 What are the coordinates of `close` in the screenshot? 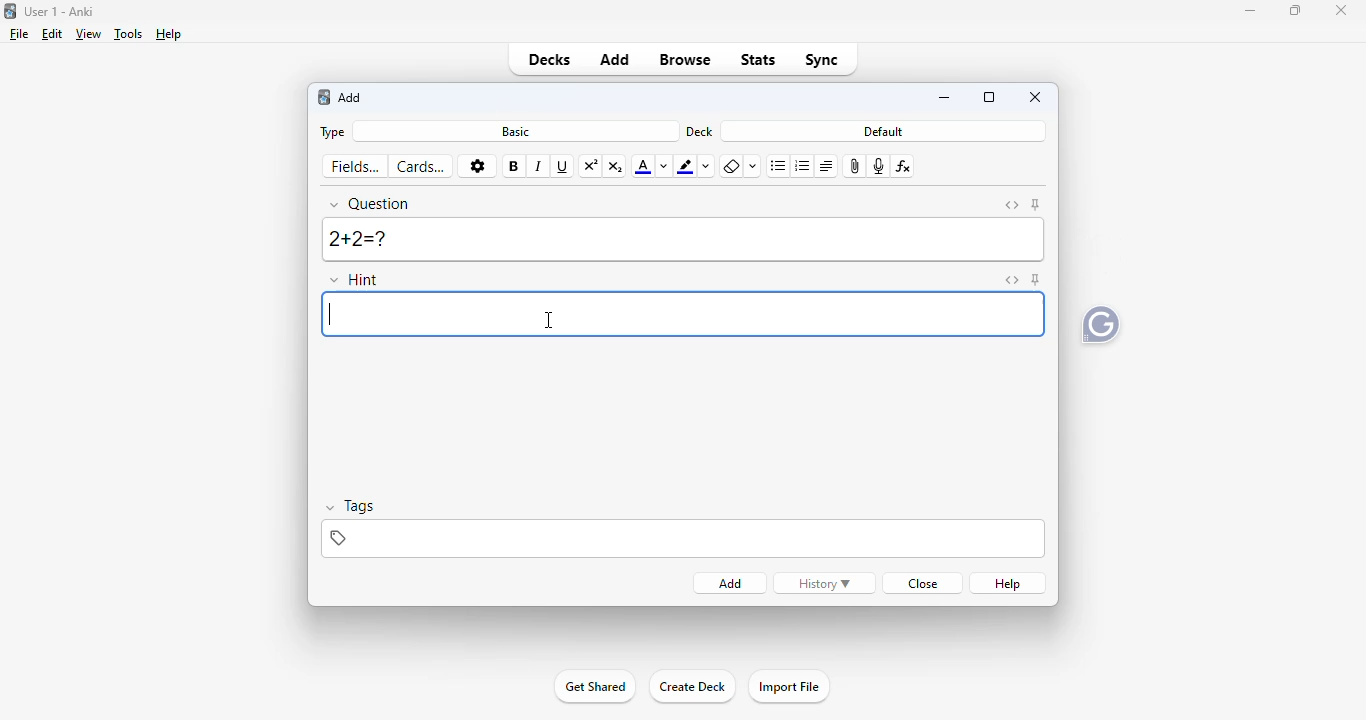 It's located at (925, 584).